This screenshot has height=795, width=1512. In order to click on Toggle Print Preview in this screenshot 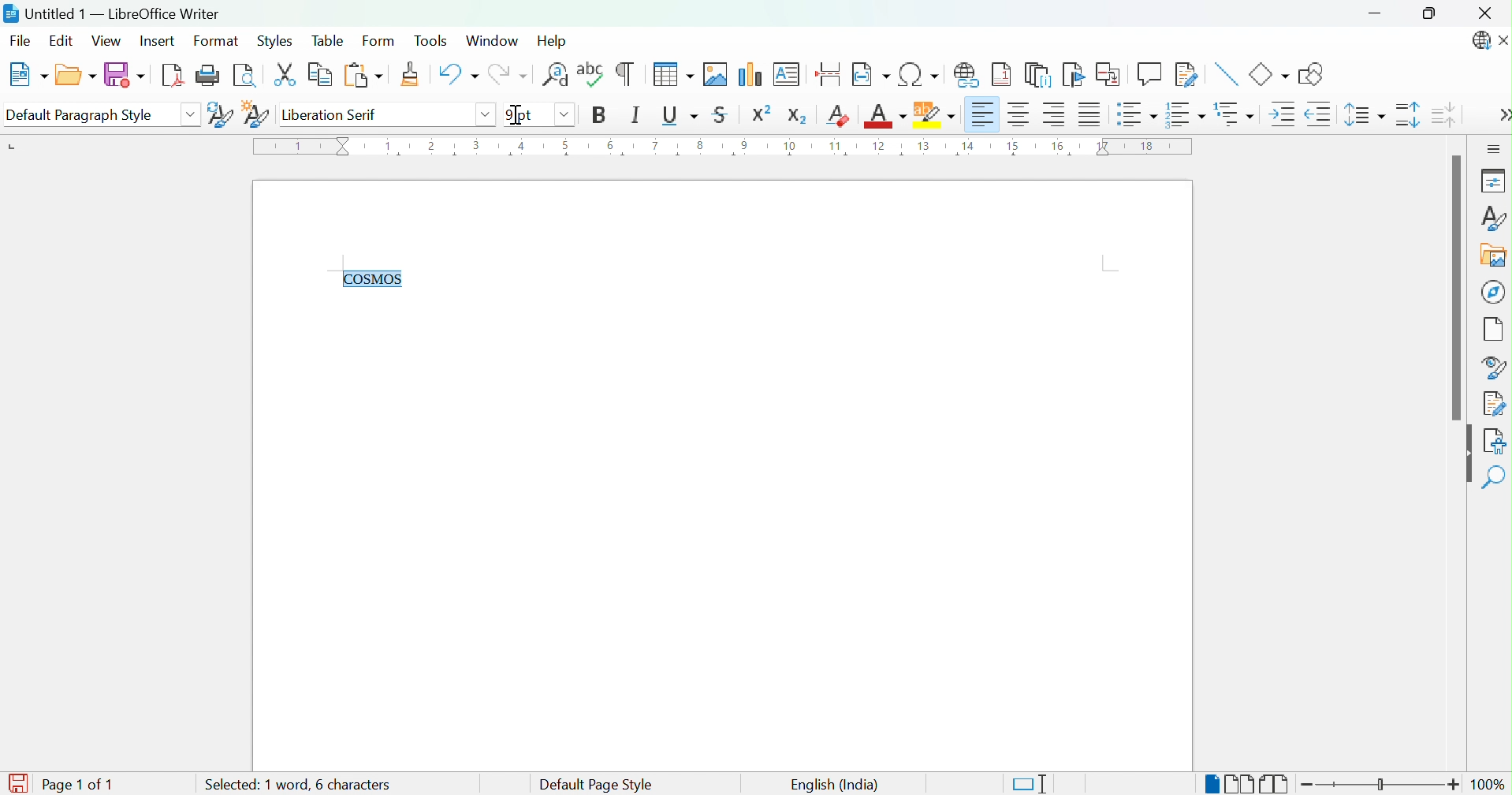, I will do `click(248, 76)`.